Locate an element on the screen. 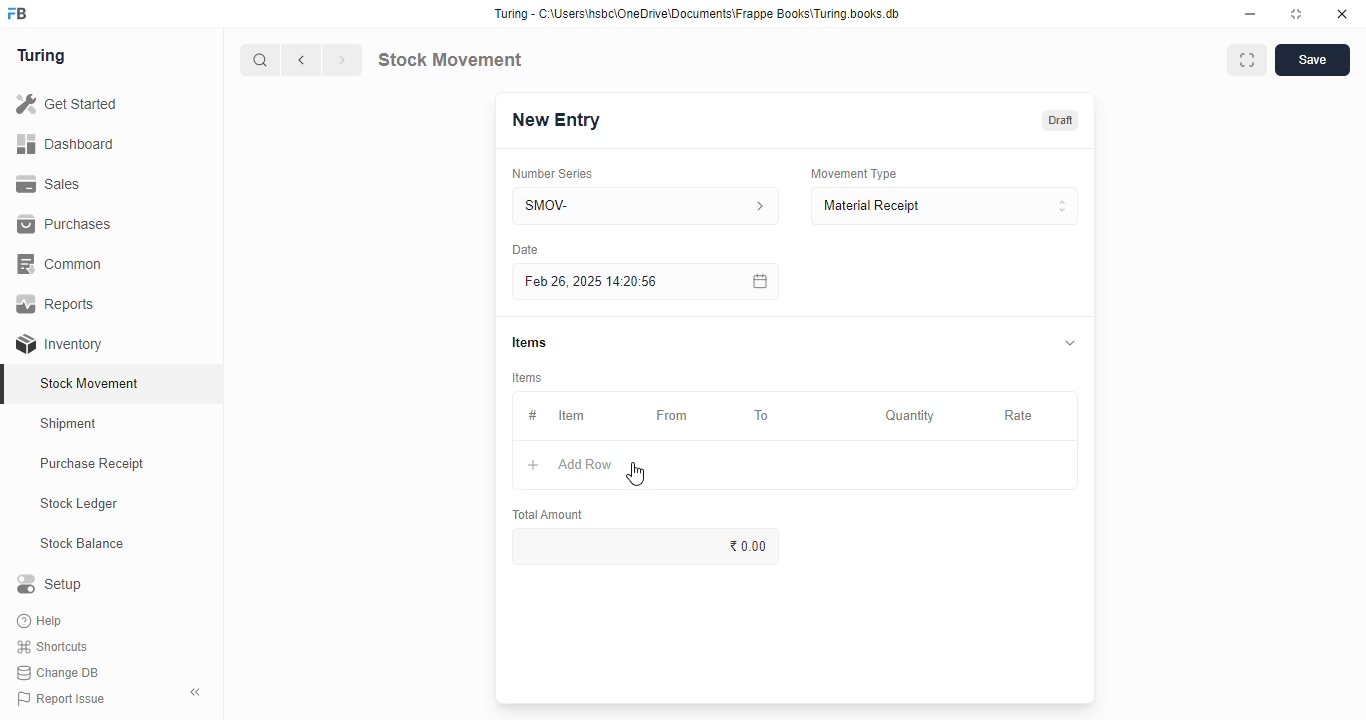 The height and width of the screenshot is (720, 1366). toggle between form and full width is located at coordinates (1247, 60).